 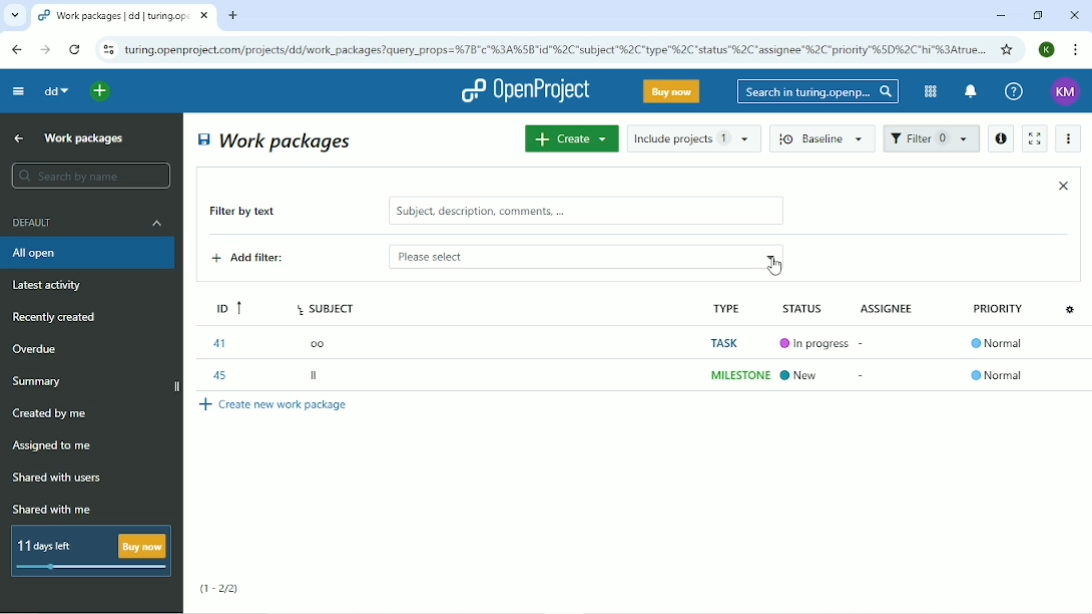 I want to click on Normal, so click(x=997, y=375).